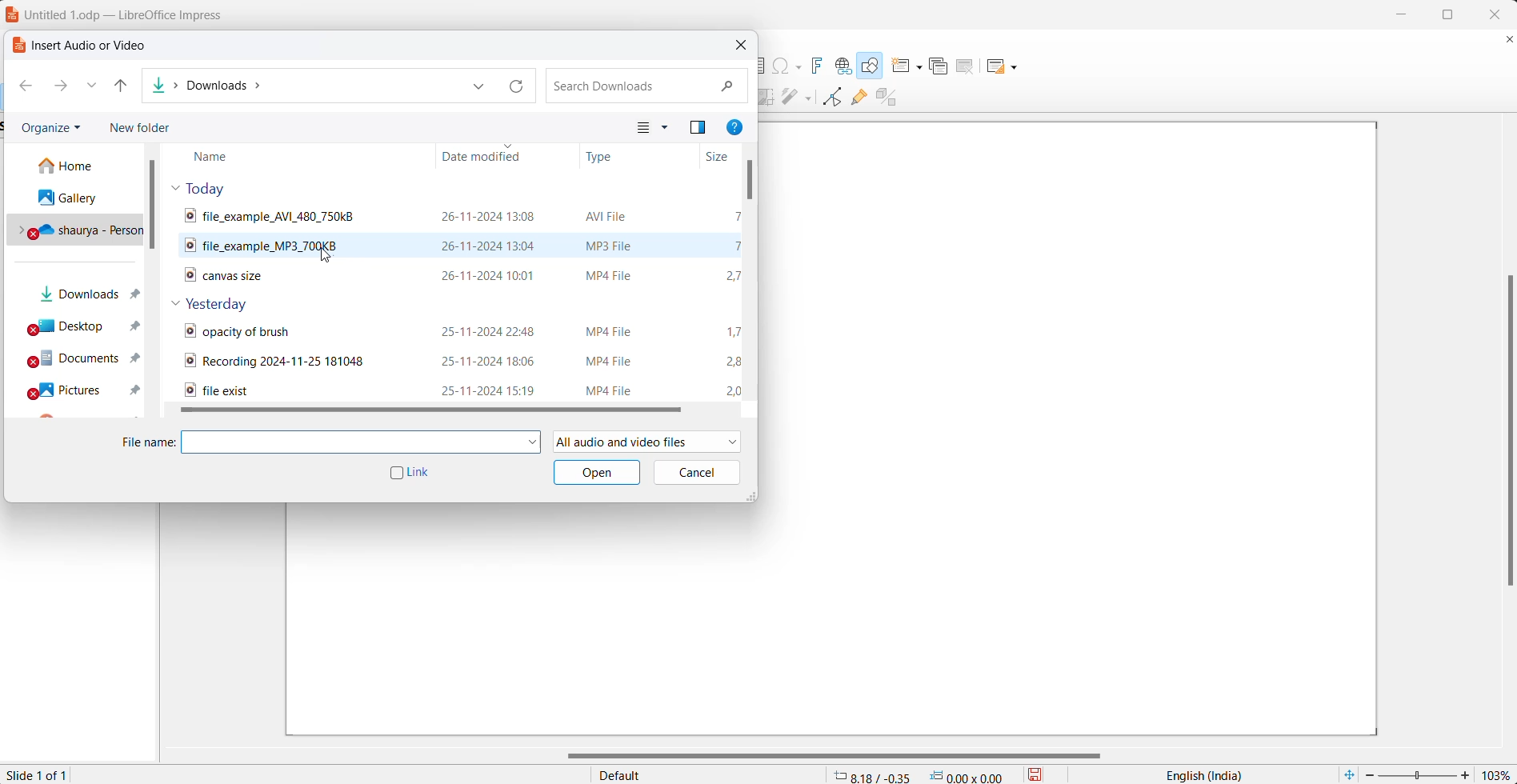  I want to click on show draw functions, so click(872, 66).